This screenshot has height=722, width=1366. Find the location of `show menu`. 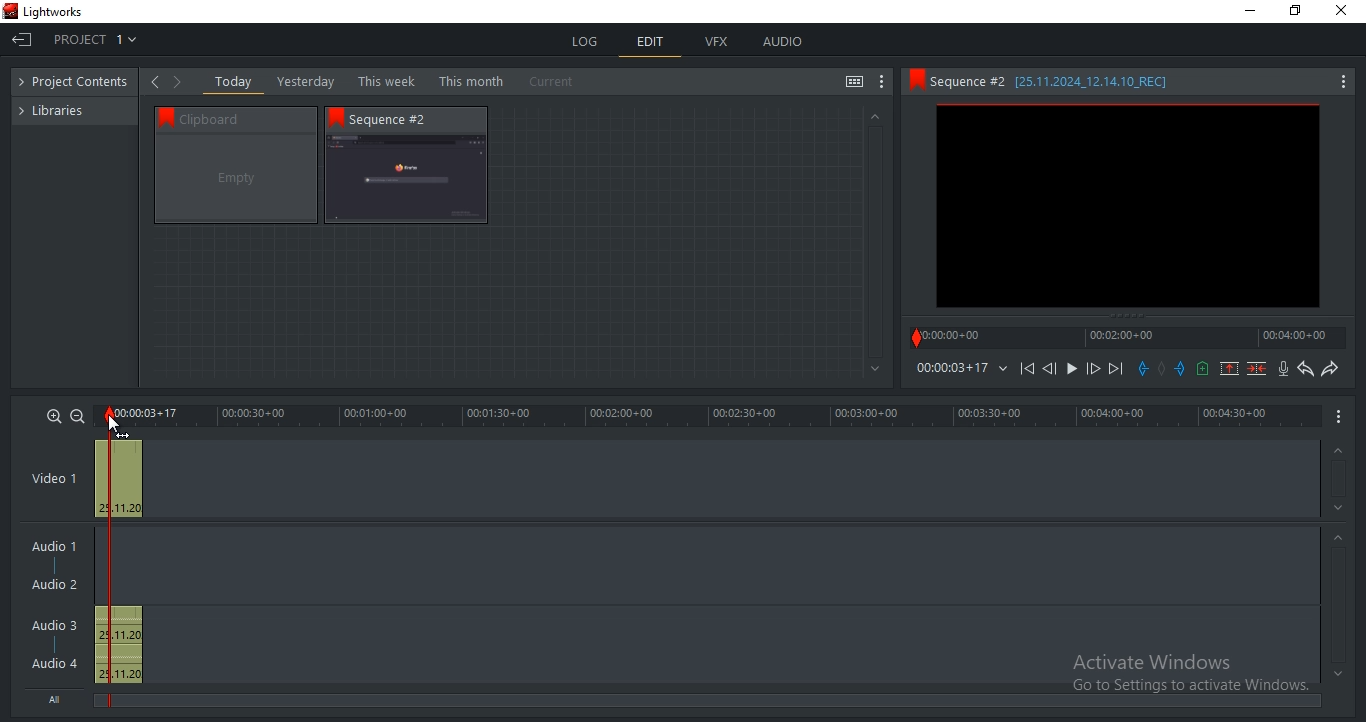

show menu is located at coordinates (1340, 415).